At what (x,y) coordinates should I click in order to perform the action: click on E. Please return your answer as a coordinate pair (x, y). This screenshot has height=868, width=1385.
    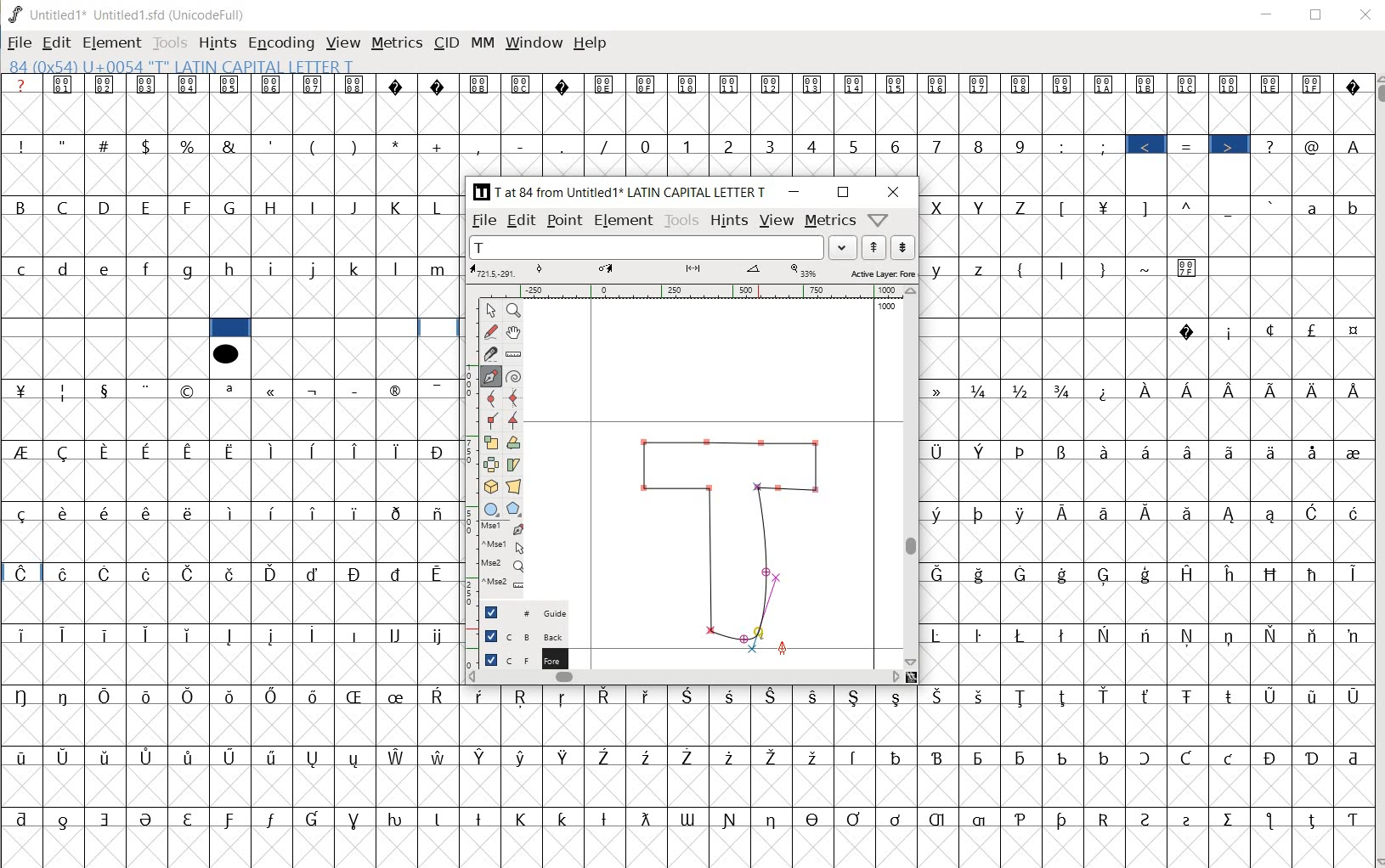
    Looking at the image, I should click on (149, 208).